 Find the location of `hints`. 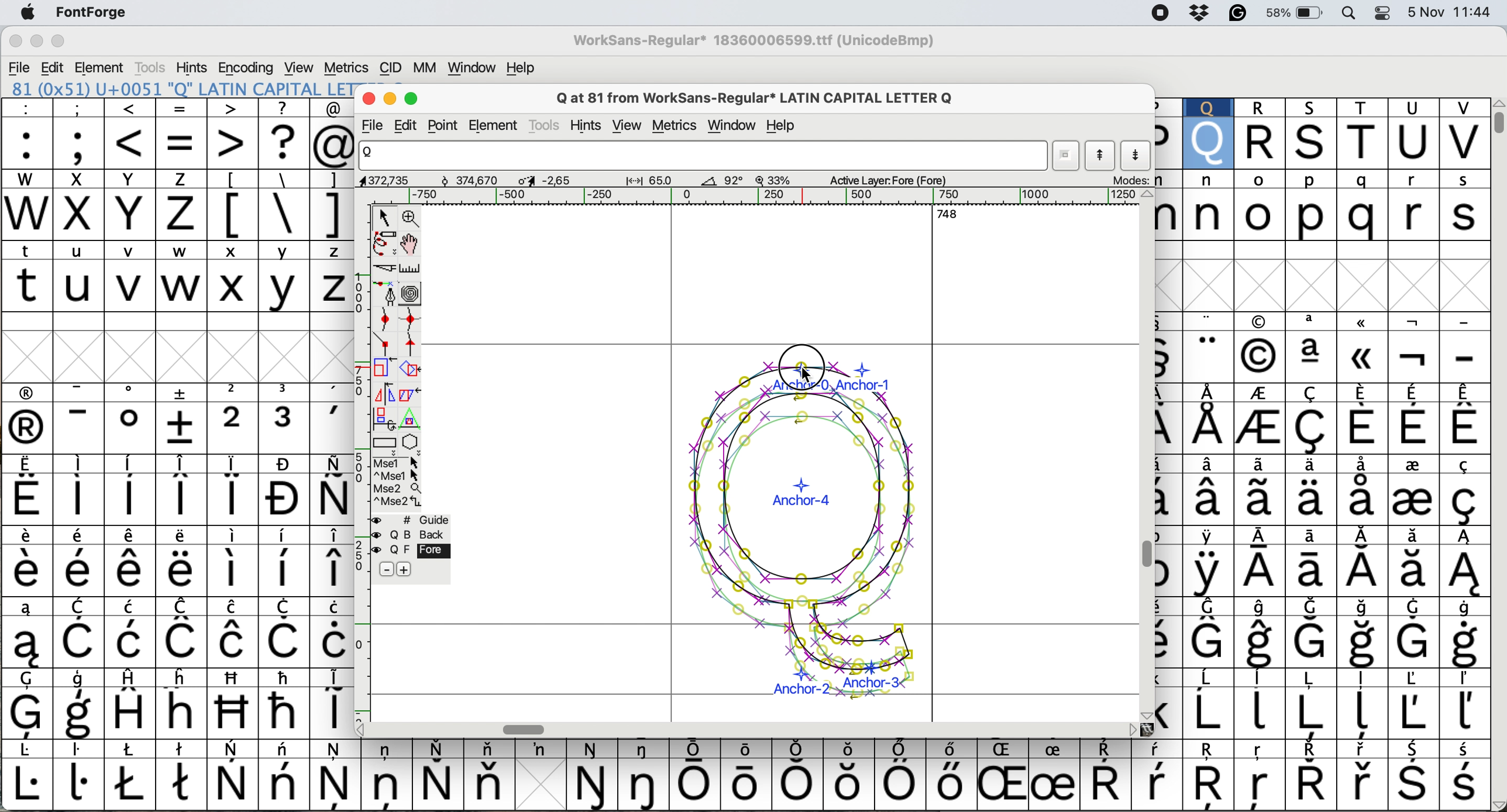

hints is located at coordinates (194, 68).